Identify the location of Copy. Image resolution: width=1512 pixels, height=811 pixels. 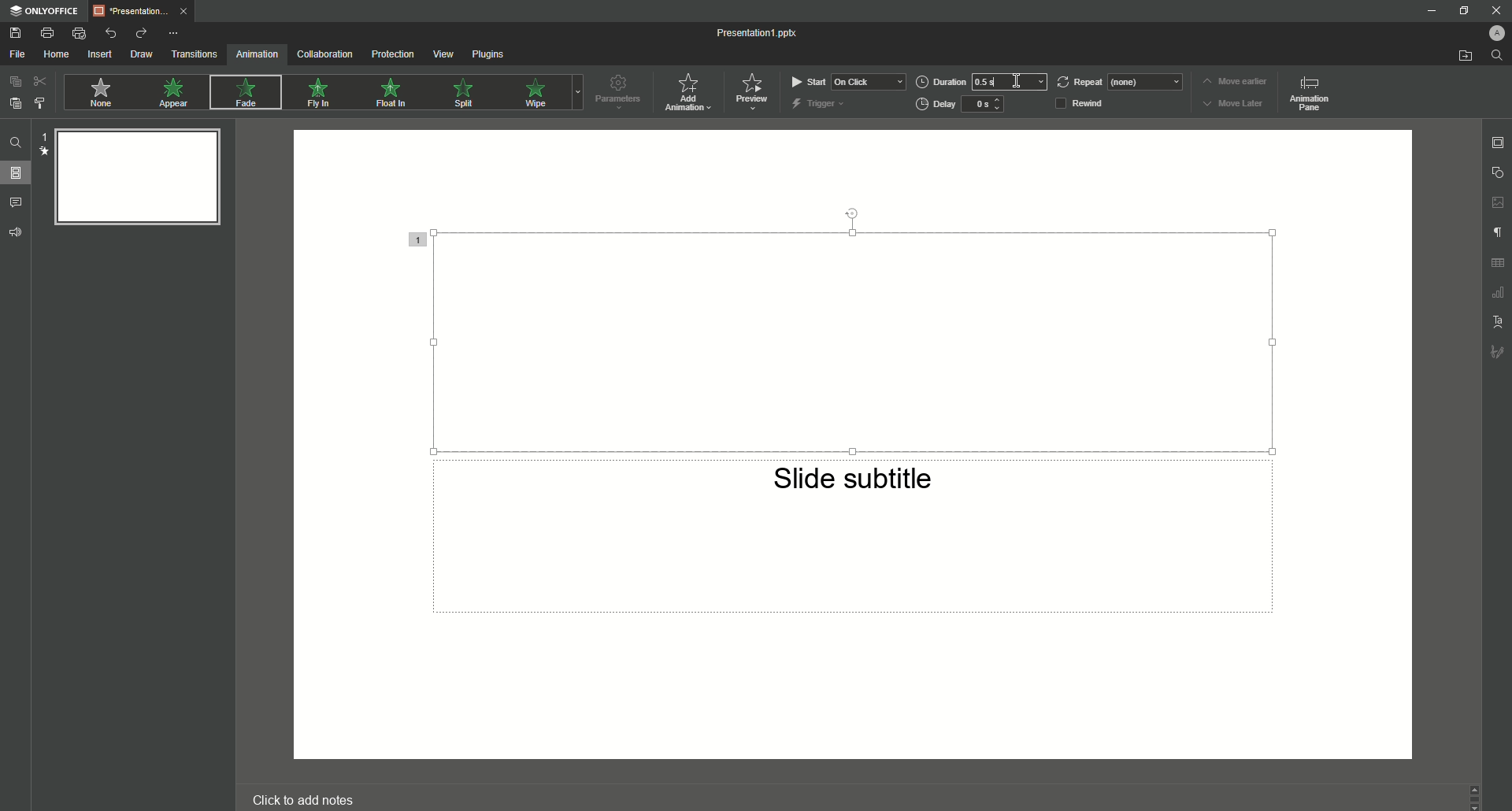
(14, 83).